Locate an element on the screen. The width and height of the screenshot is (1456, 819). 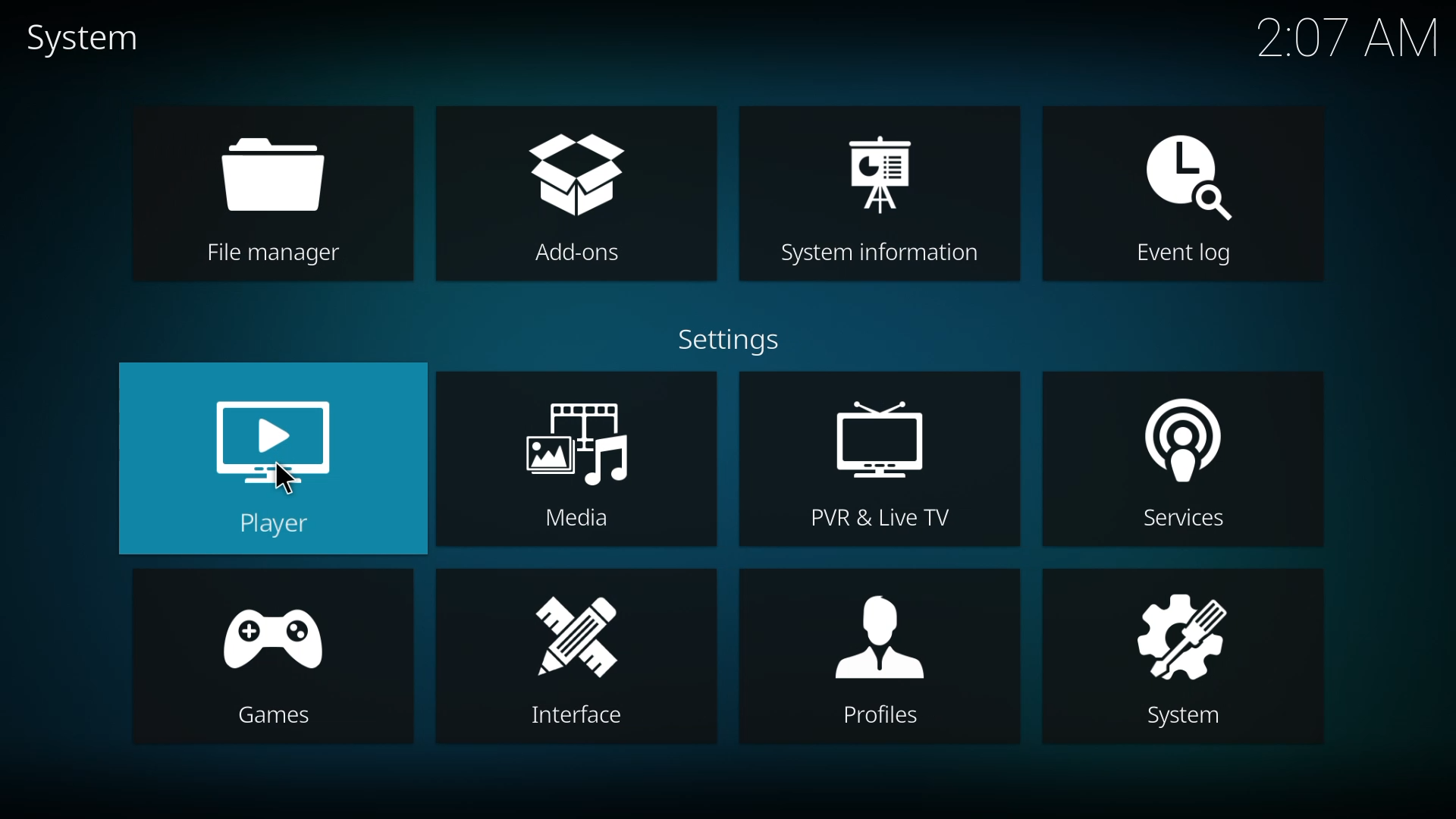
file manager is located at coordinates (278, 193).